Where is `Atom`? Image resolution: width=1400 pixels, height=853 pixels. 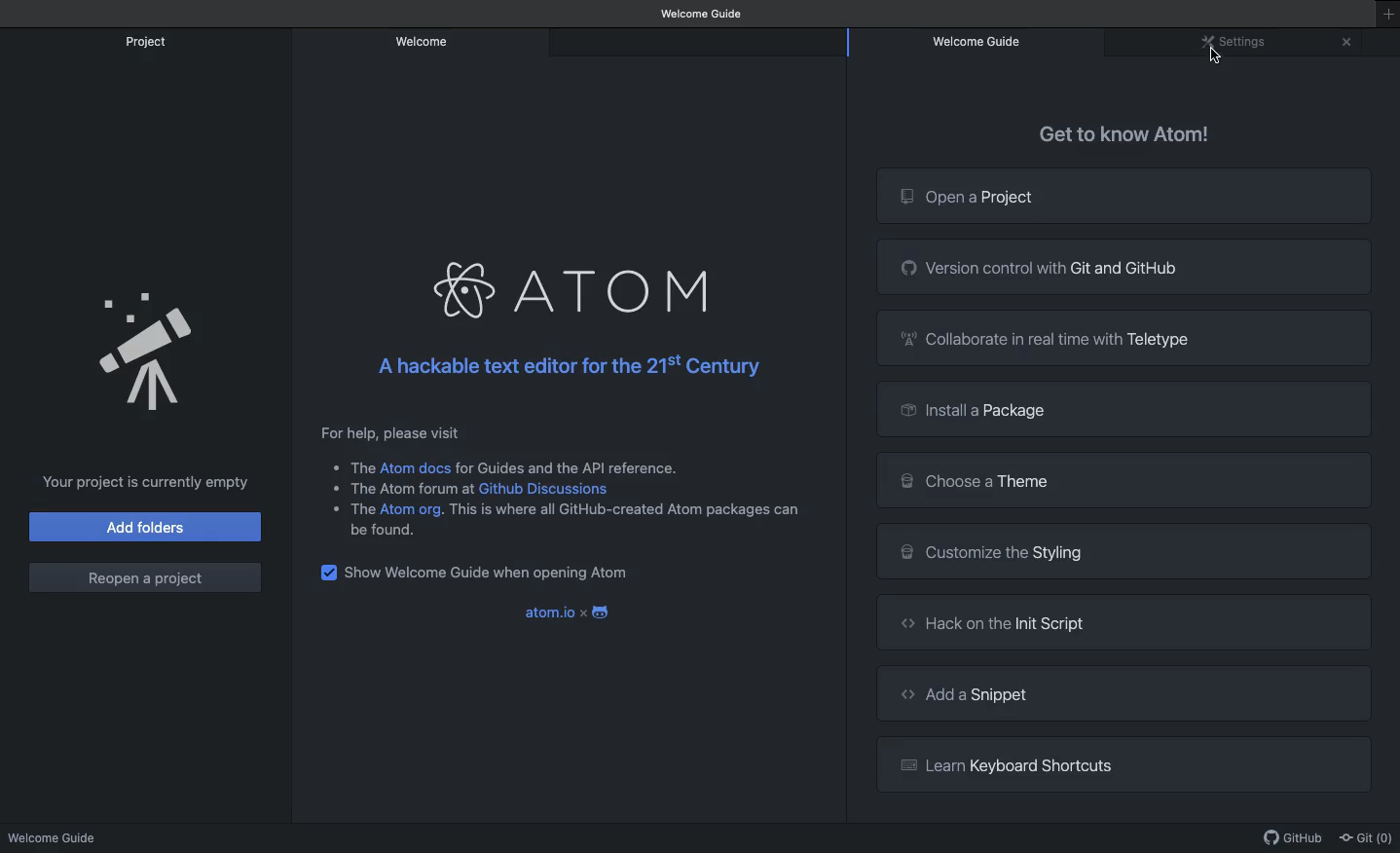 Atom is located at coordinates (618, 289).